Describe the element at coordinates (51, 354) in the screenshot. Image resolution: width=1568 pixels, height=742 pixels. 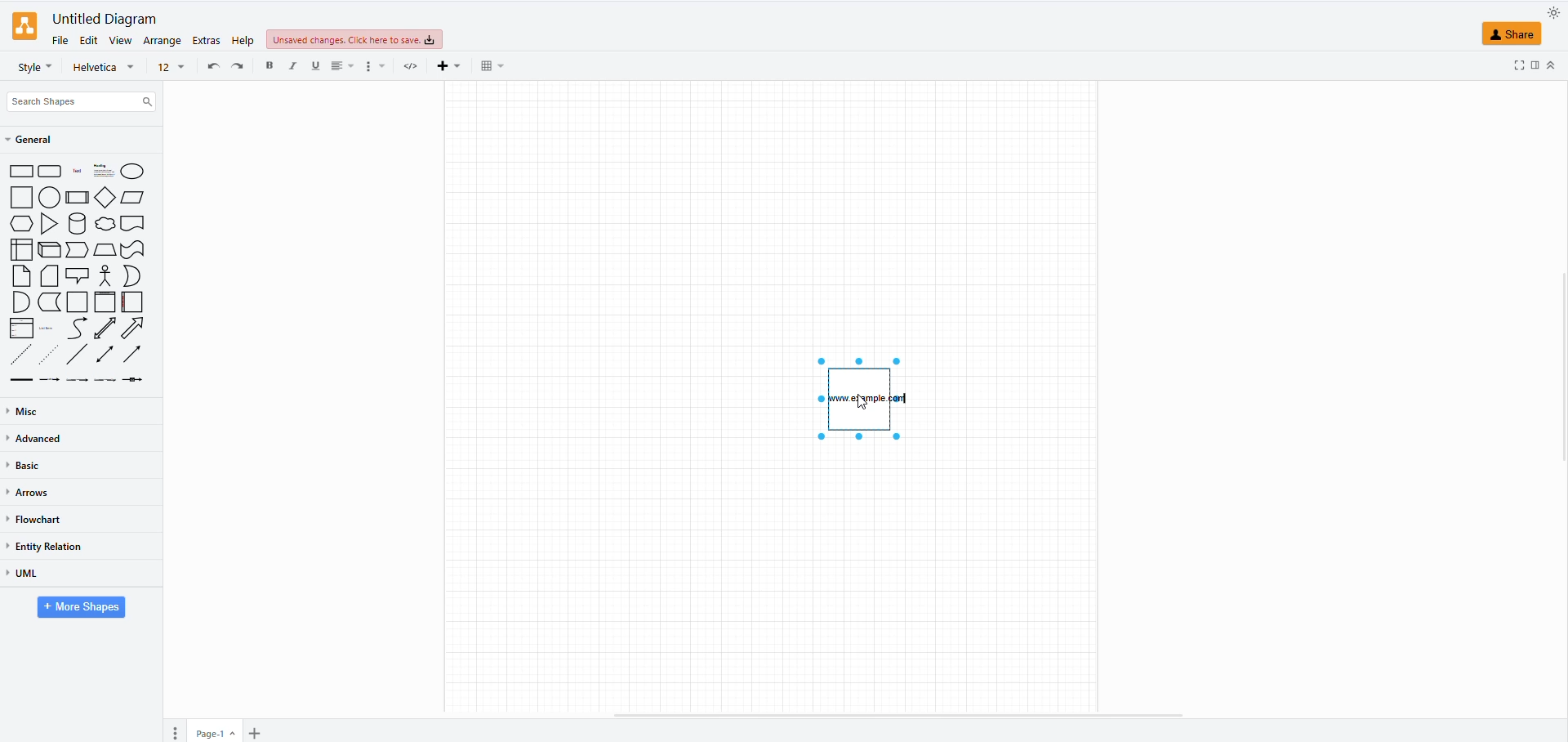
I see `dotted line` at that location.